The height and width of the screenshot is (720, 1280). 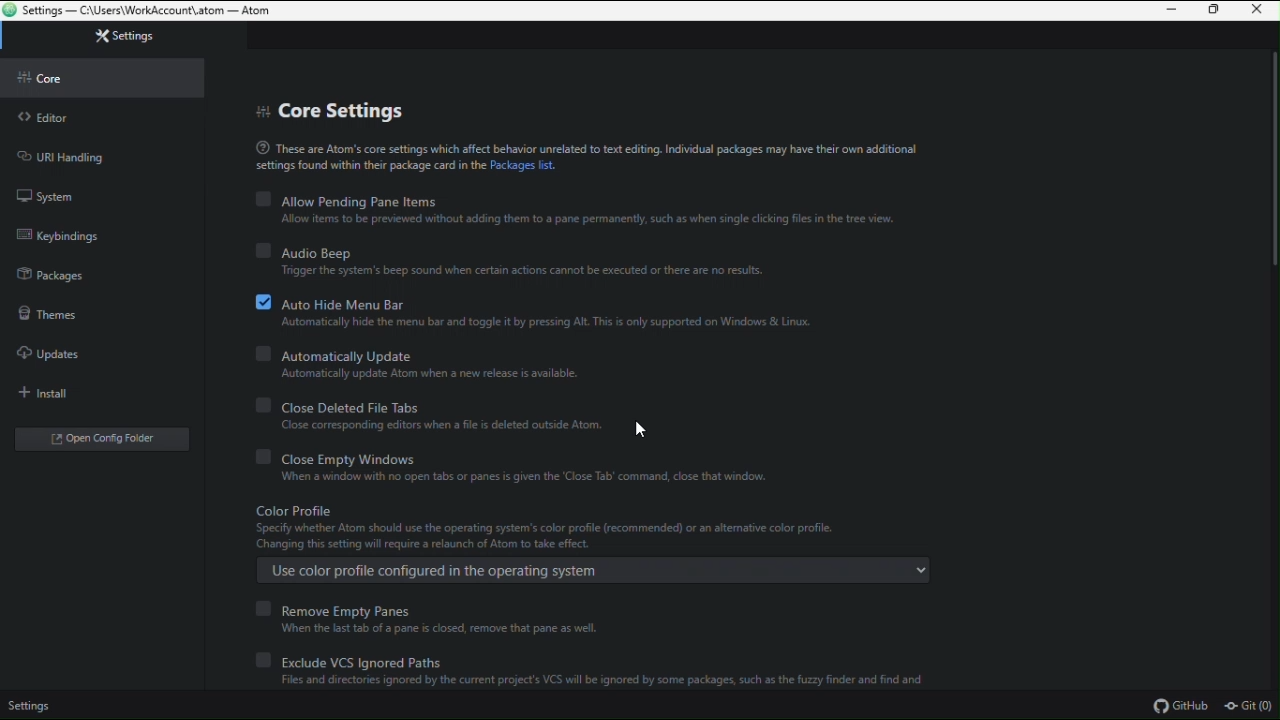 I want to click on system, so click(x=110, y=196).